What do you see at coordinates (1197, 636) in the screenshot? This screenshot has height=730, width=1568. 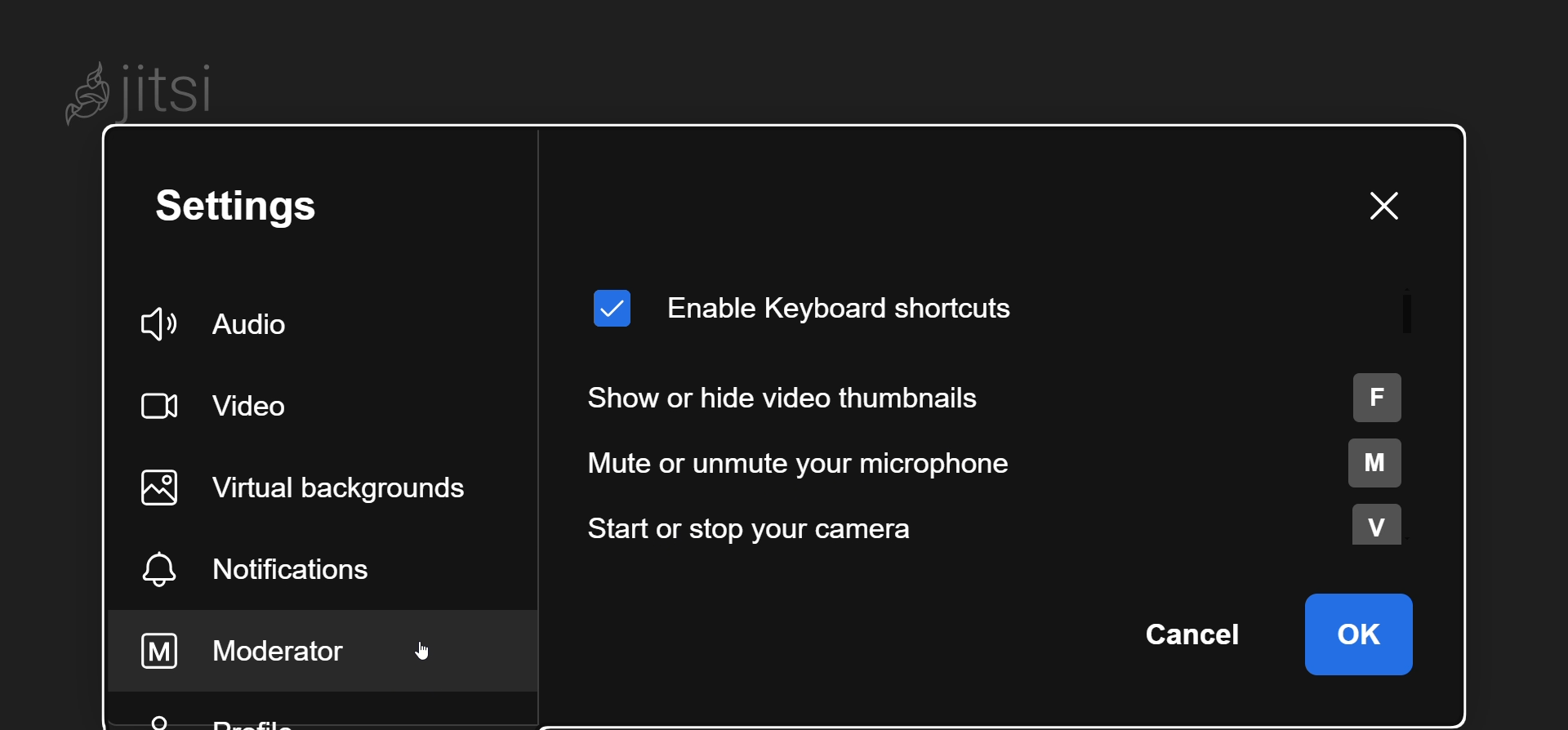 I see `cancel` at bounding box center [1197, 636].